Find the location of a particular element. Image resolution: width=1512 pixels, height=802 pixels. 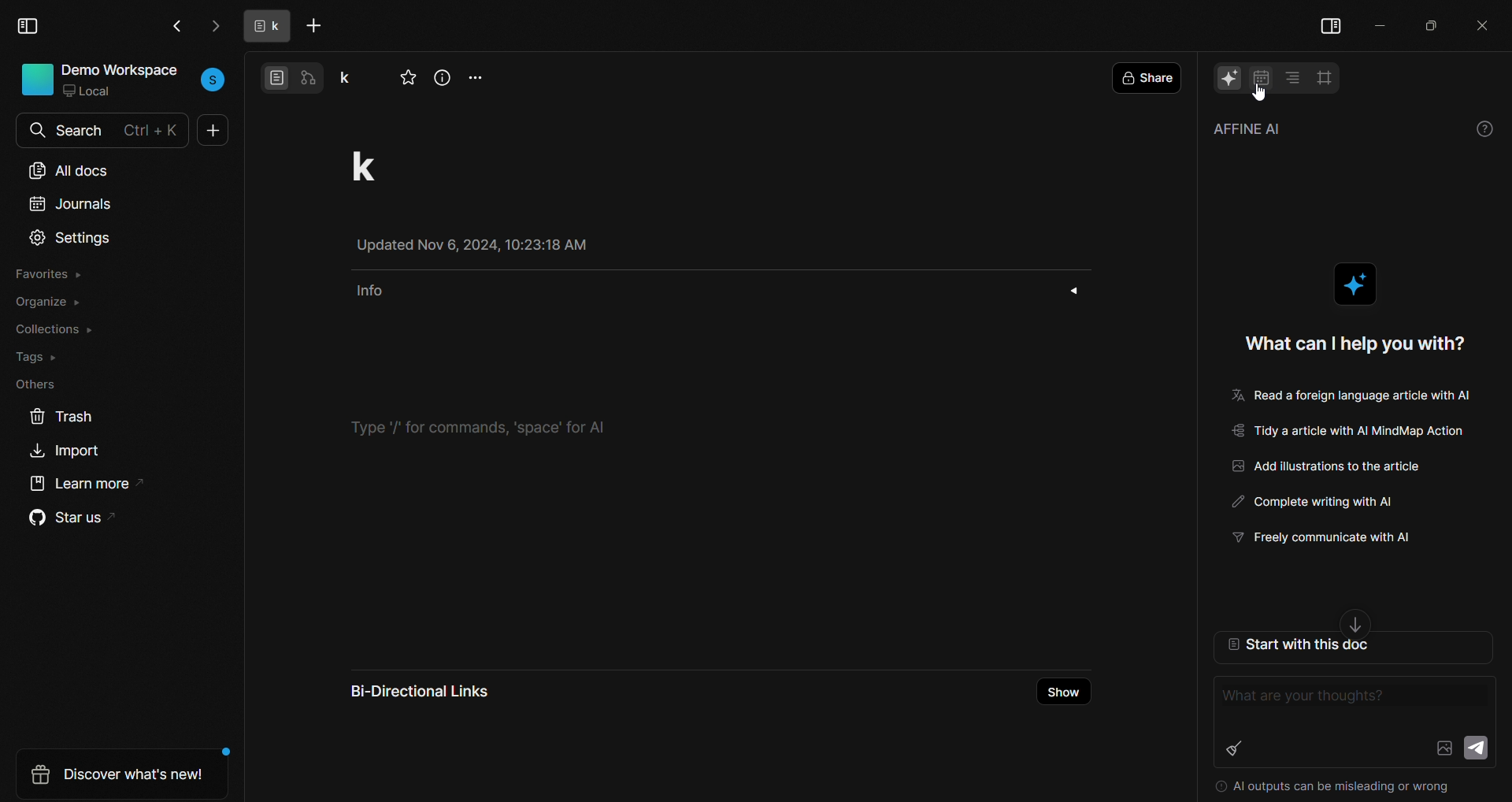

freely communicate with ai is located at coordinates (1336, 538).